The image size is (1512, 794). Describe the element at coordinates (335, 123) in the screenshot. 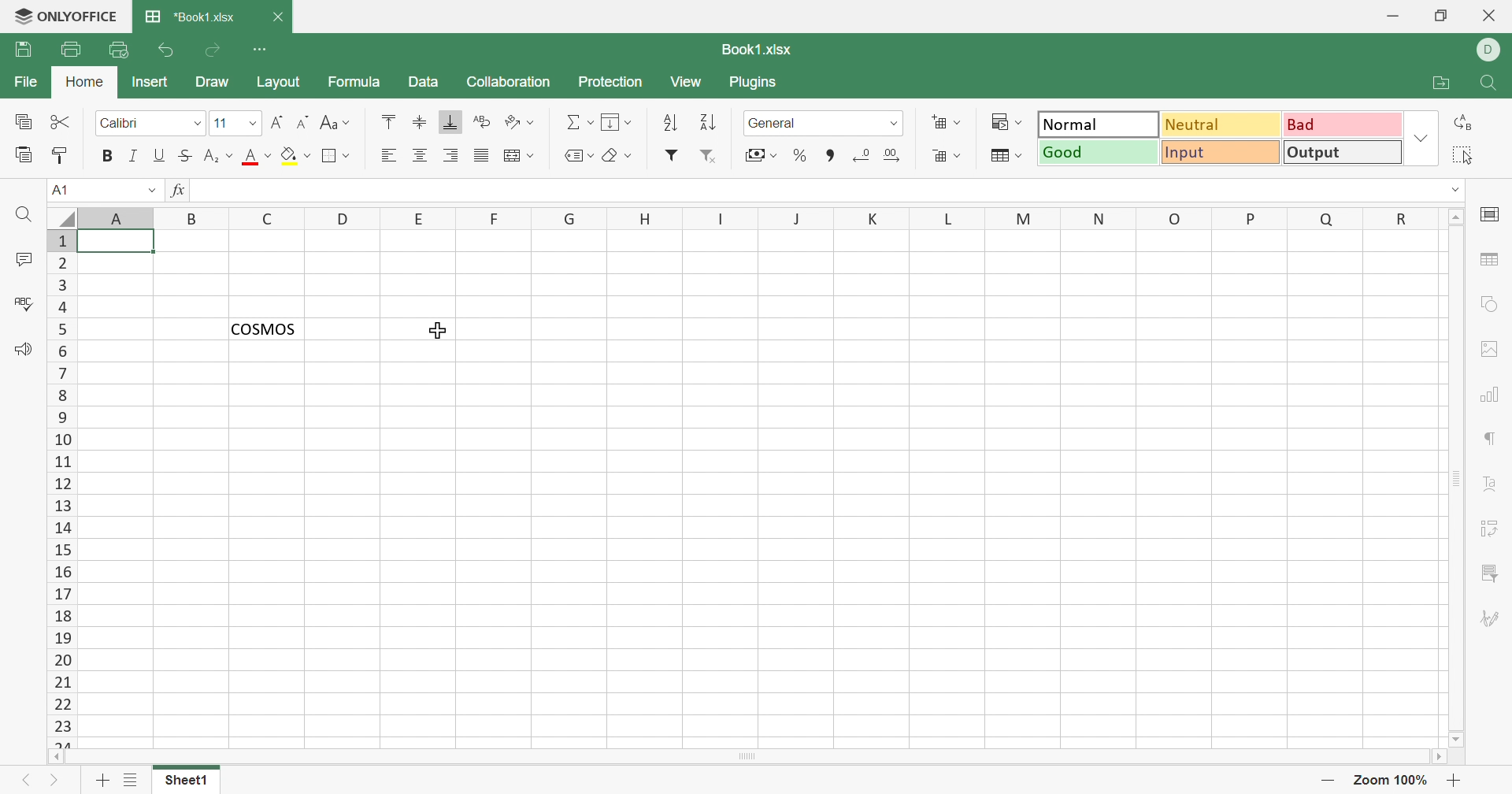

I see `Change case` at that location.